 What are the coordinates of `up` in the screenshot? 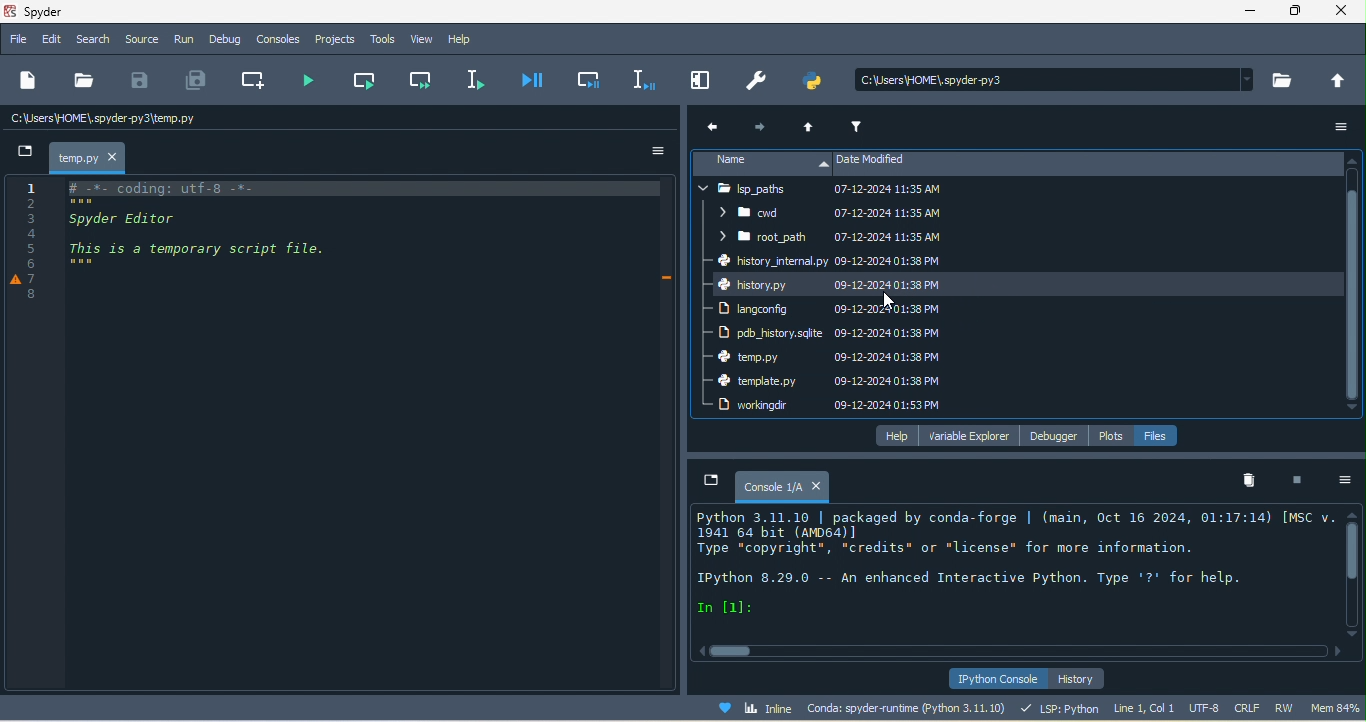 It's located at (812, 127).